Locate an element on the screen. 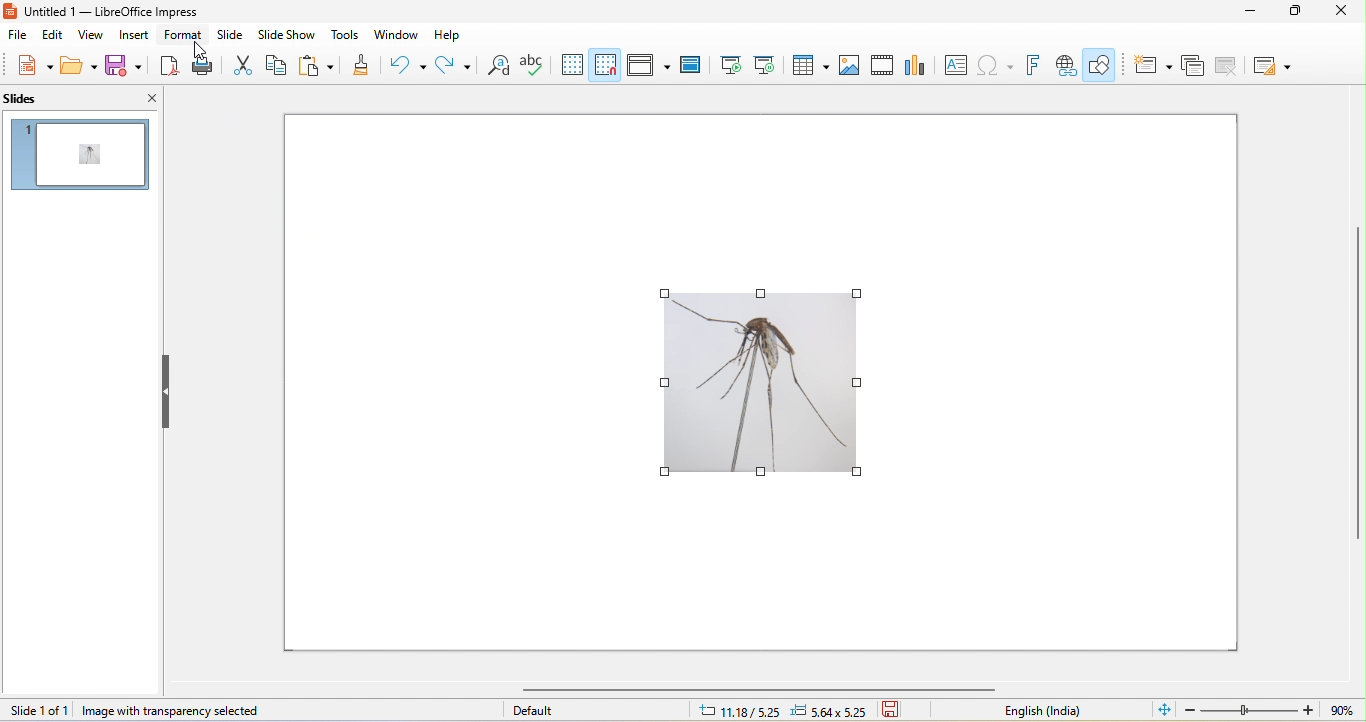  fontwork text is located at coordinates (1036, 65).